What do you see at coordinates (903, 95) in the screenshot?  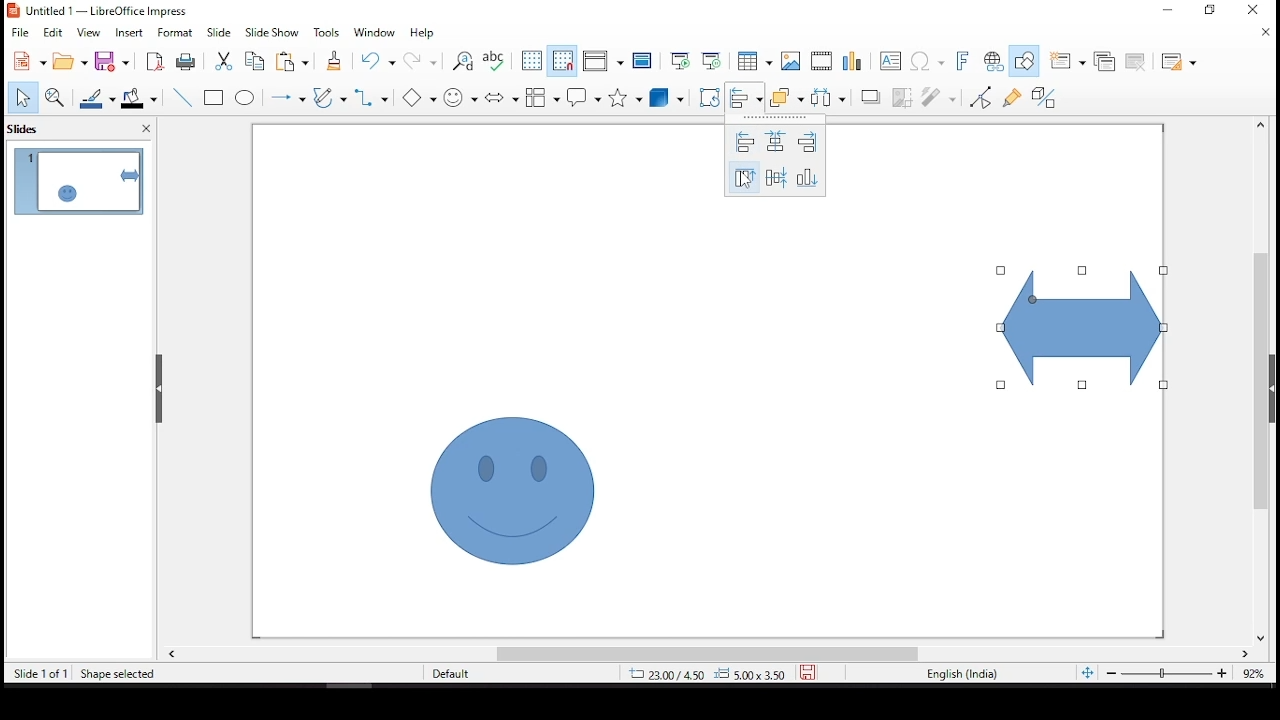 I see `crop image` at bounding box center [903, 95].